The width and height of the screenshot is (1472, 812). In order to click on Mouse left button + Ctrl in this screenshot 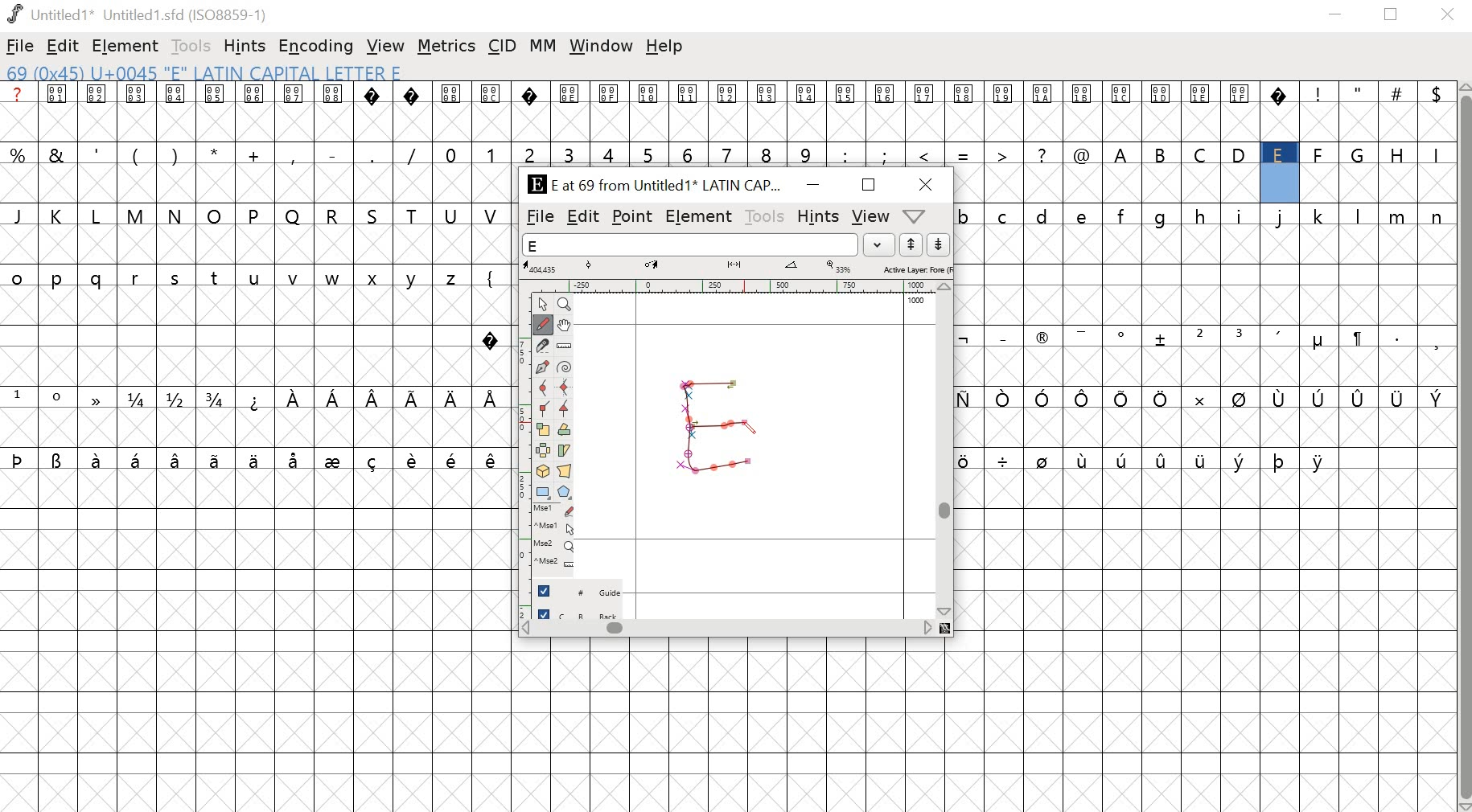, I will do `click(553, 529)`.